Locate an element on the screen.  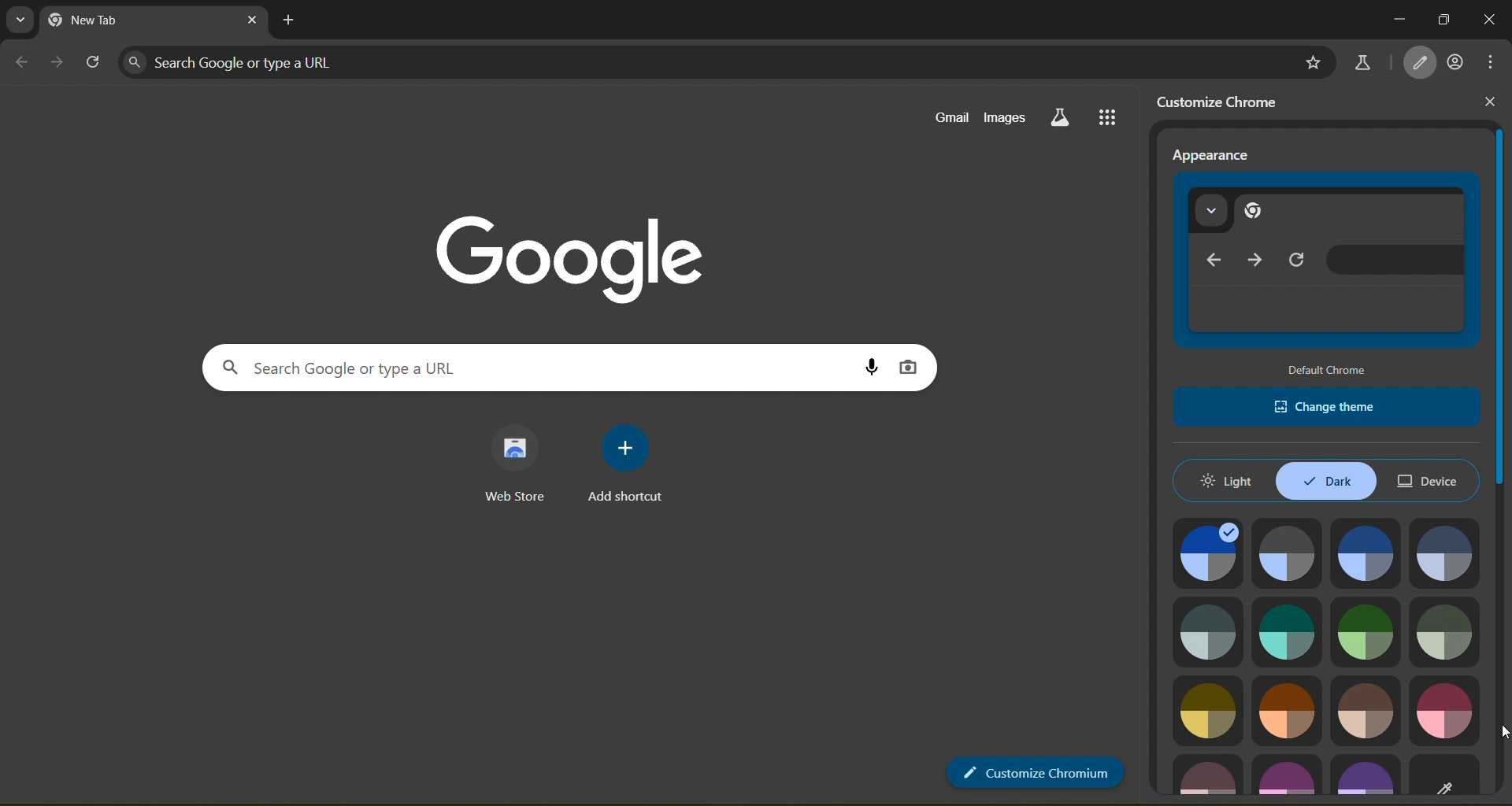
light is located at coordinates (1229, 479).